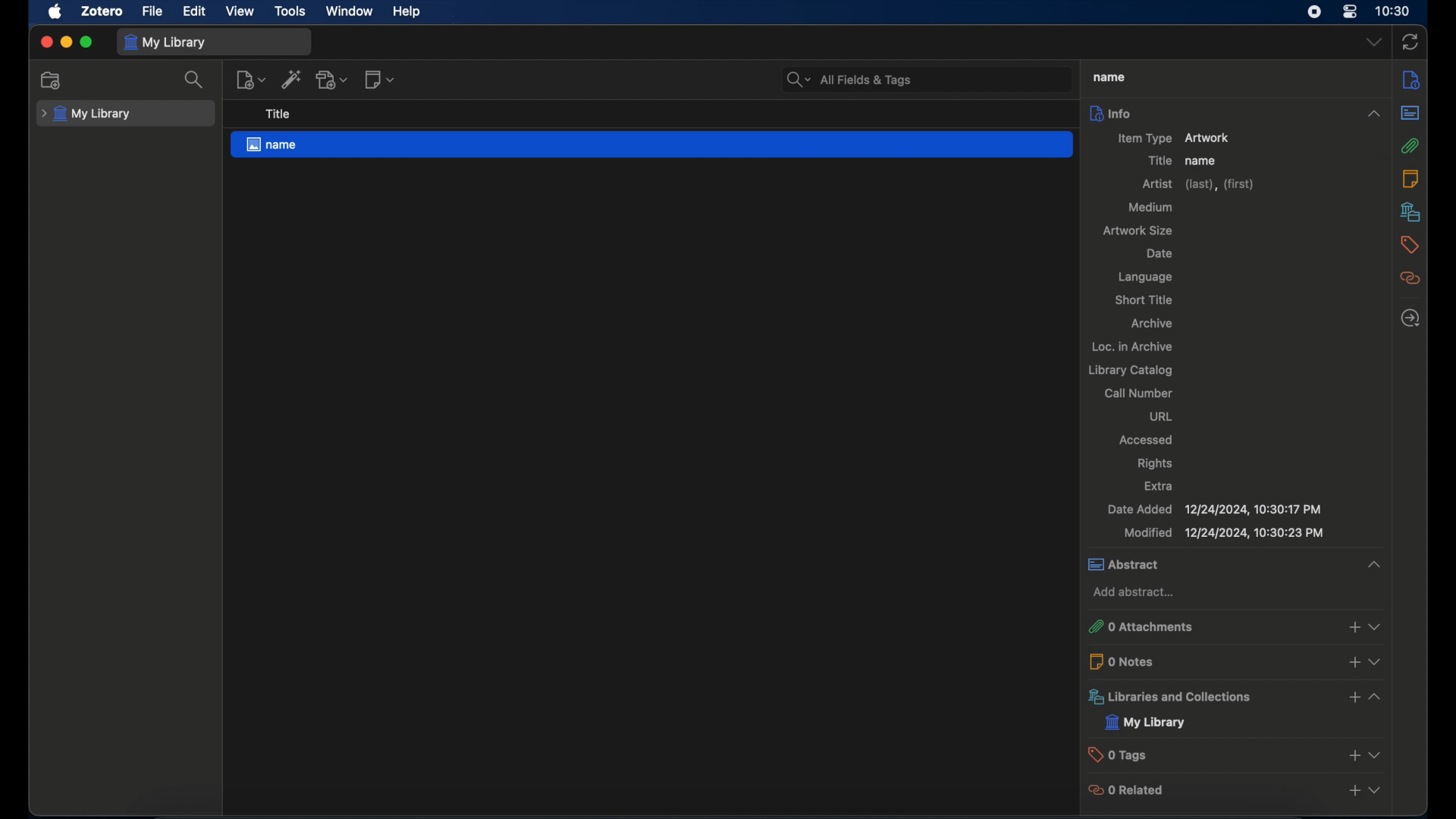 The width and height of the screenshot is (1456, 819). I want to click on expand section, so click(1382, 701).